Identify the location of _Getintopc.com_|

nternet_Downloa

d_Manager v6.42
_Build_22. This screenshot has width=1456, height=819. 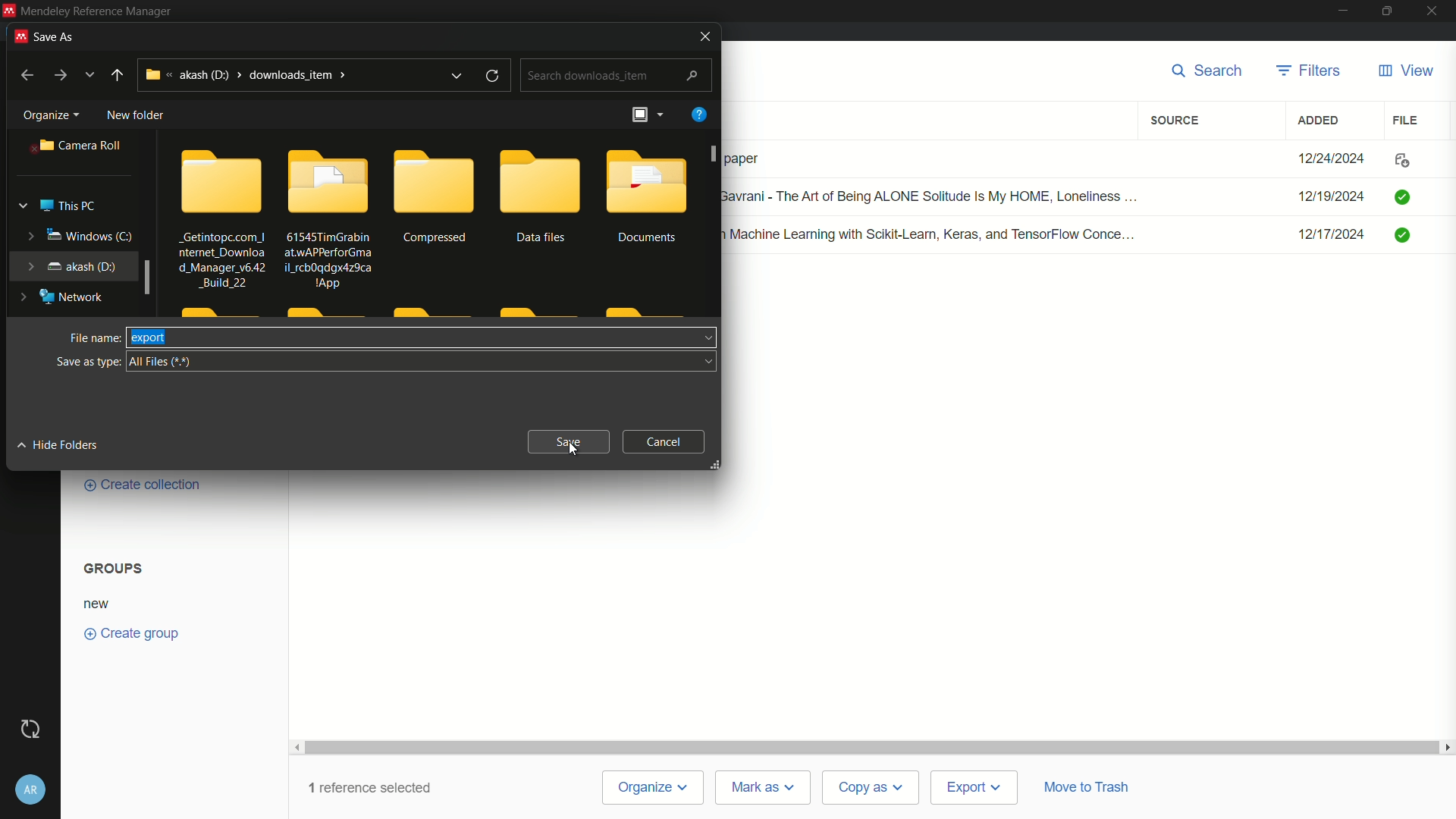
(220, 260).